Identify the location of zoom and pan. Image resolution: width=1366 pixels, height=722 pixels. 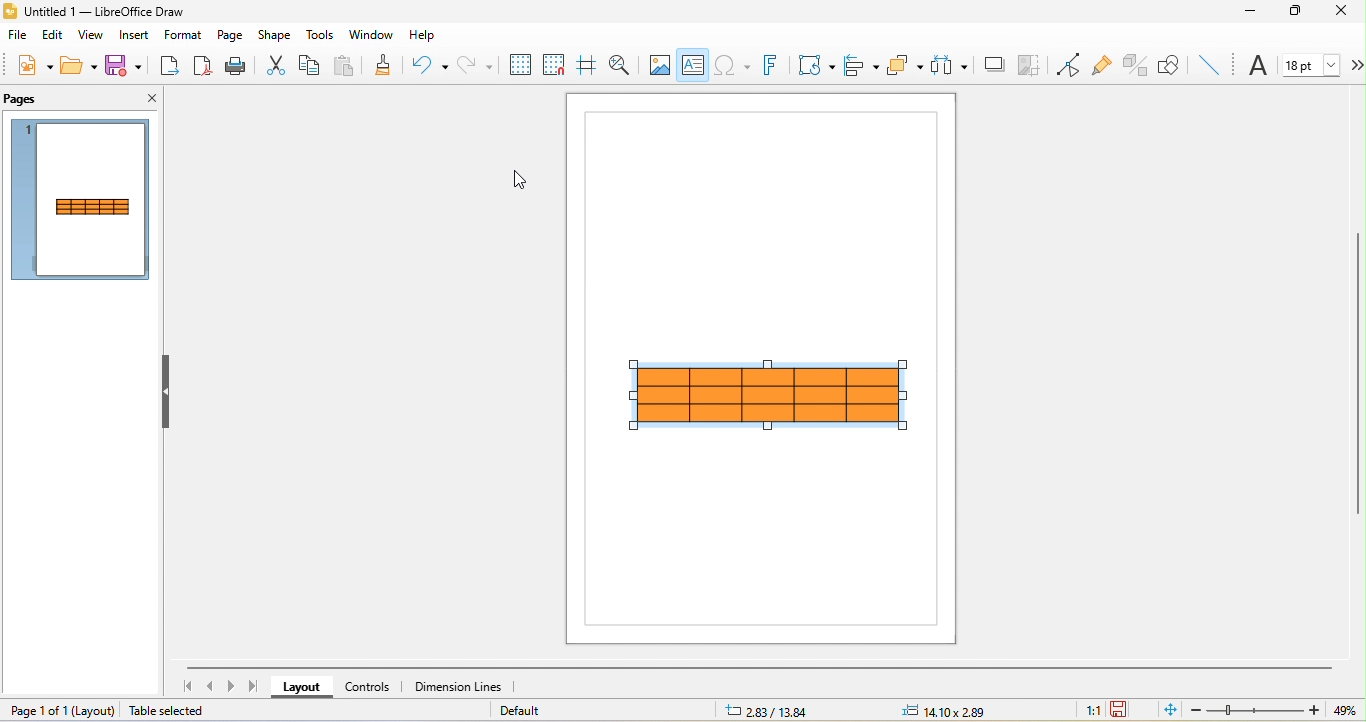
(623, 67).